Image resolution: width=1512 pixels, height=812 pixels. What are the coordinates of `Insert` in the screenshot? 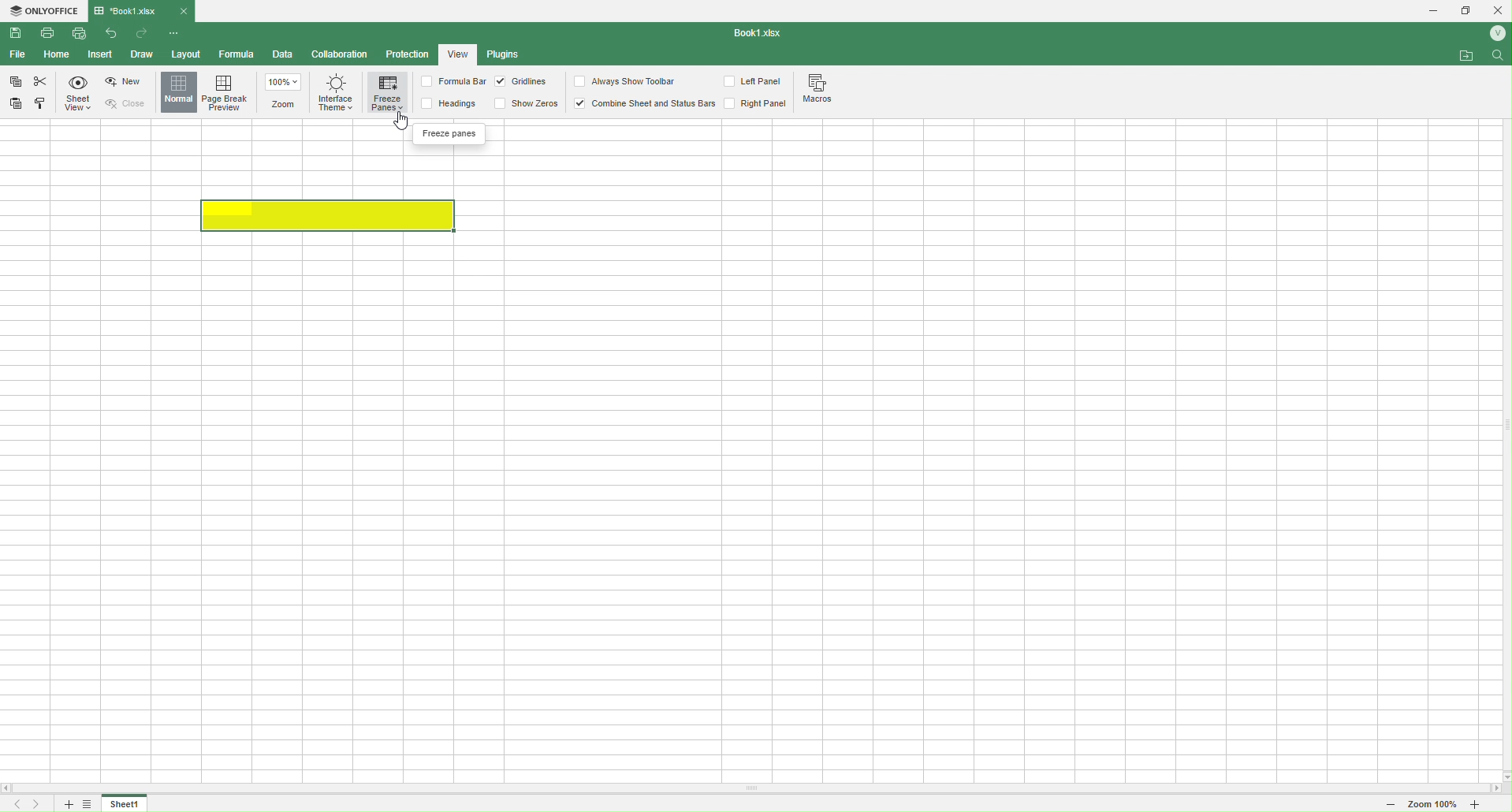 It's located at (99, 55).